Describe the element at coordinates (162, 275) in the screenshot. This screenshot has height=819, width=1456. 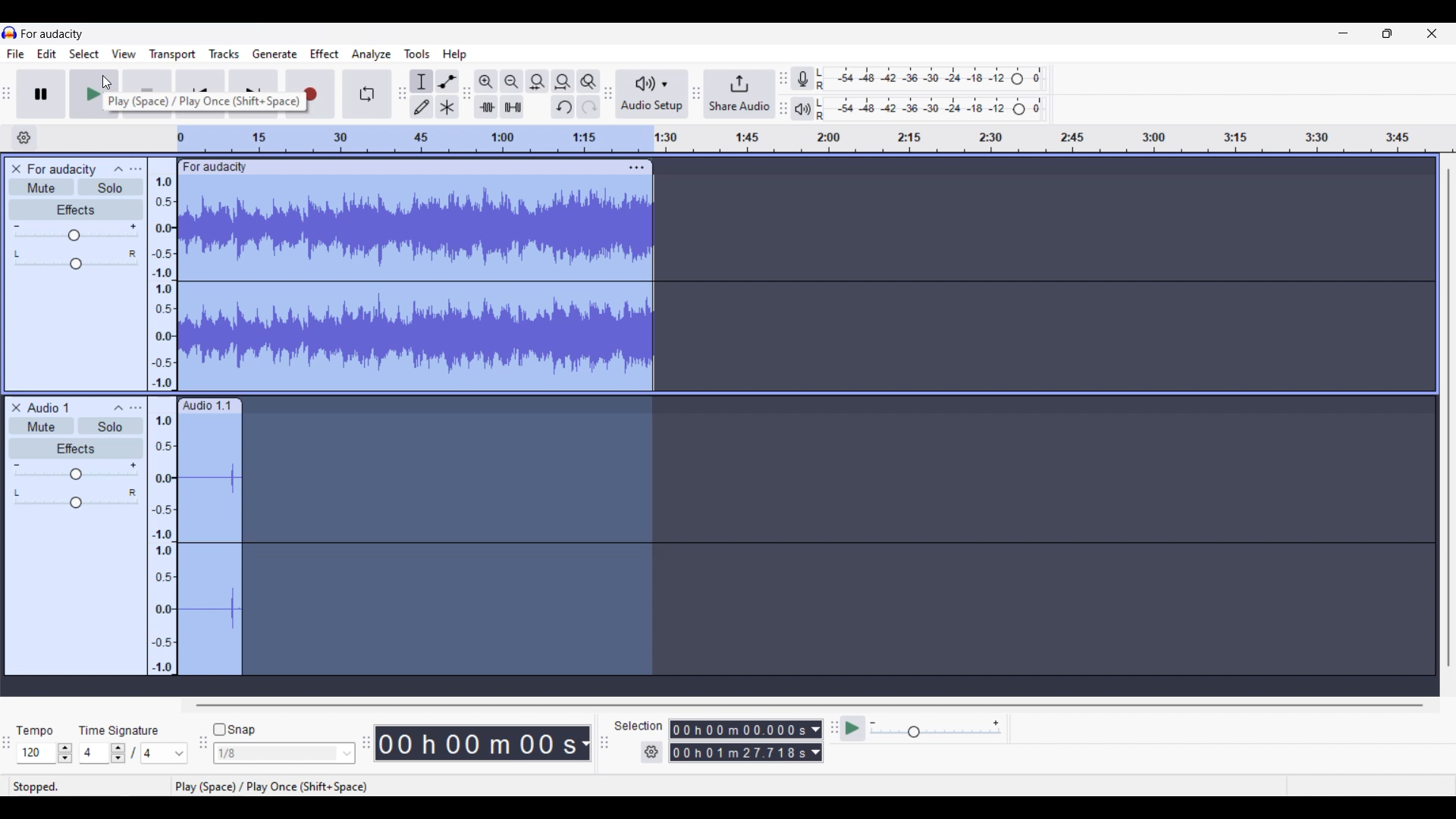
I see `amplitude` at that location.